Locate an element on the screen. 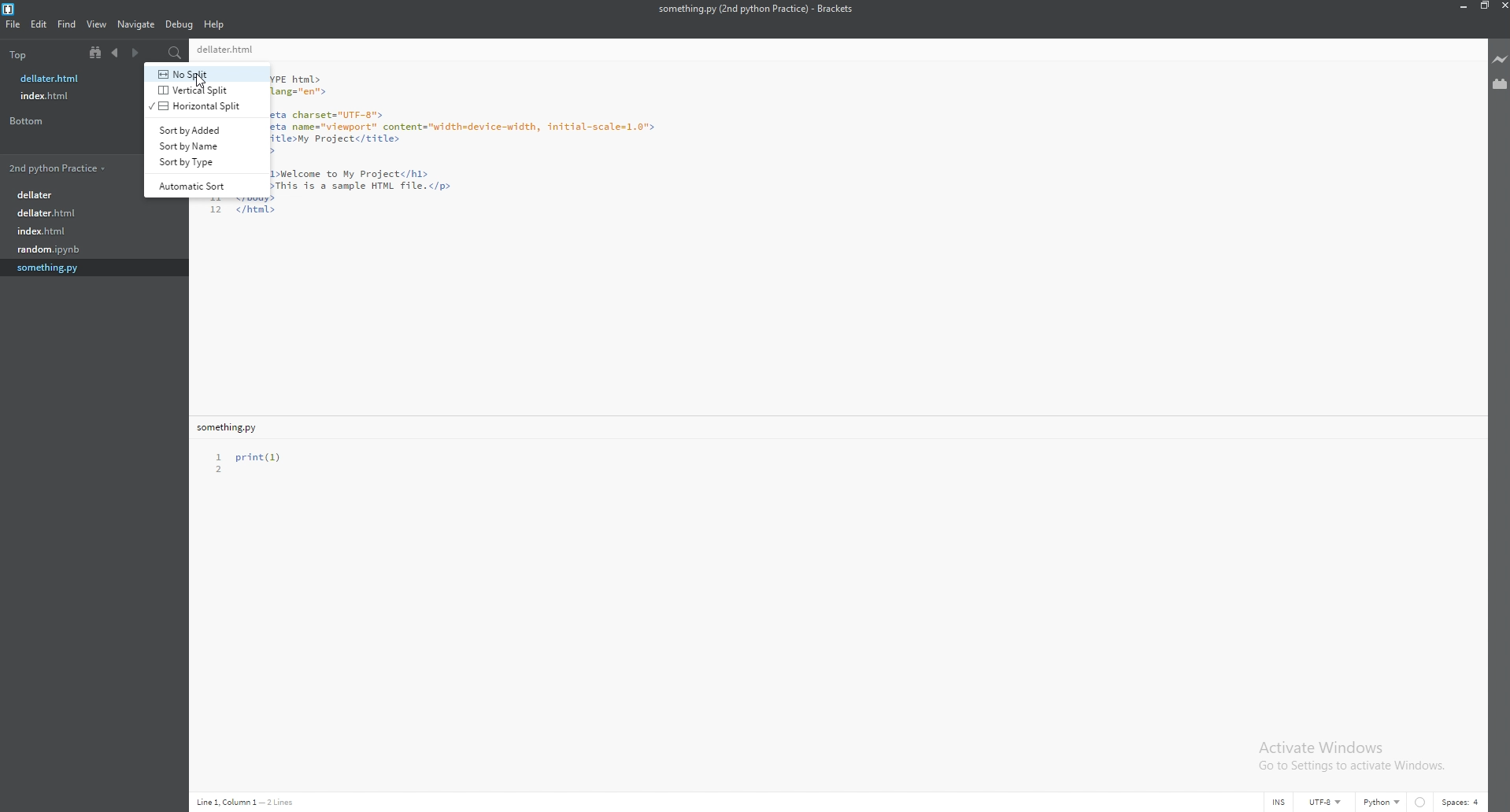 The width and height of the screenshot is (1510, 812). resize is located at coordinates (1481, 6).